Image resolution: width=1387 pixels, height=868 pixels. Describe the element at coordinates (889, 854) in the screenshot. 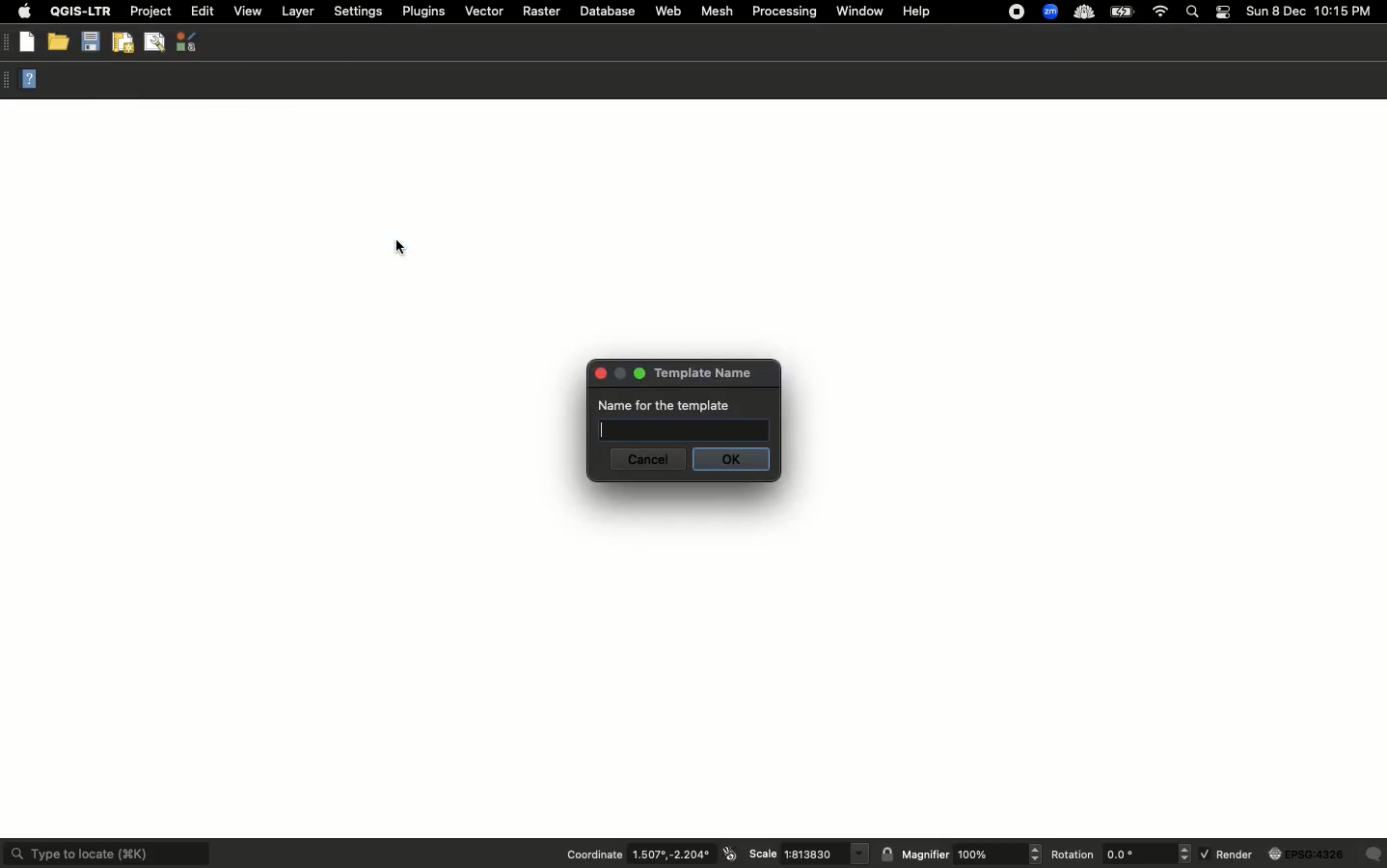

I see `lock` at that location.